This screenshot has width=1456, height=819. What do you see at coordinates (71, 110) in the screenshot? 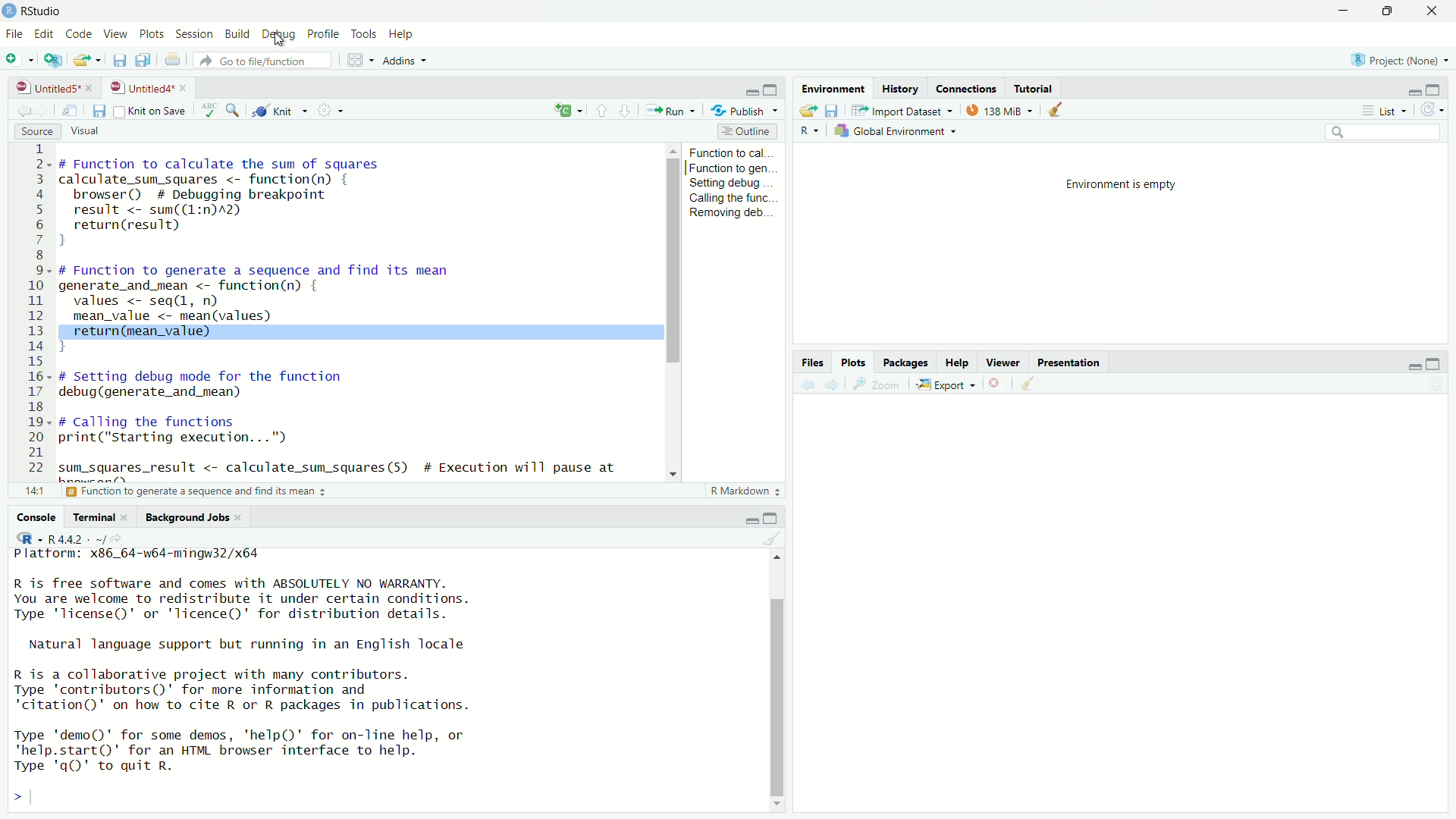
I see `show in new window` at bounding box center [71, 110].